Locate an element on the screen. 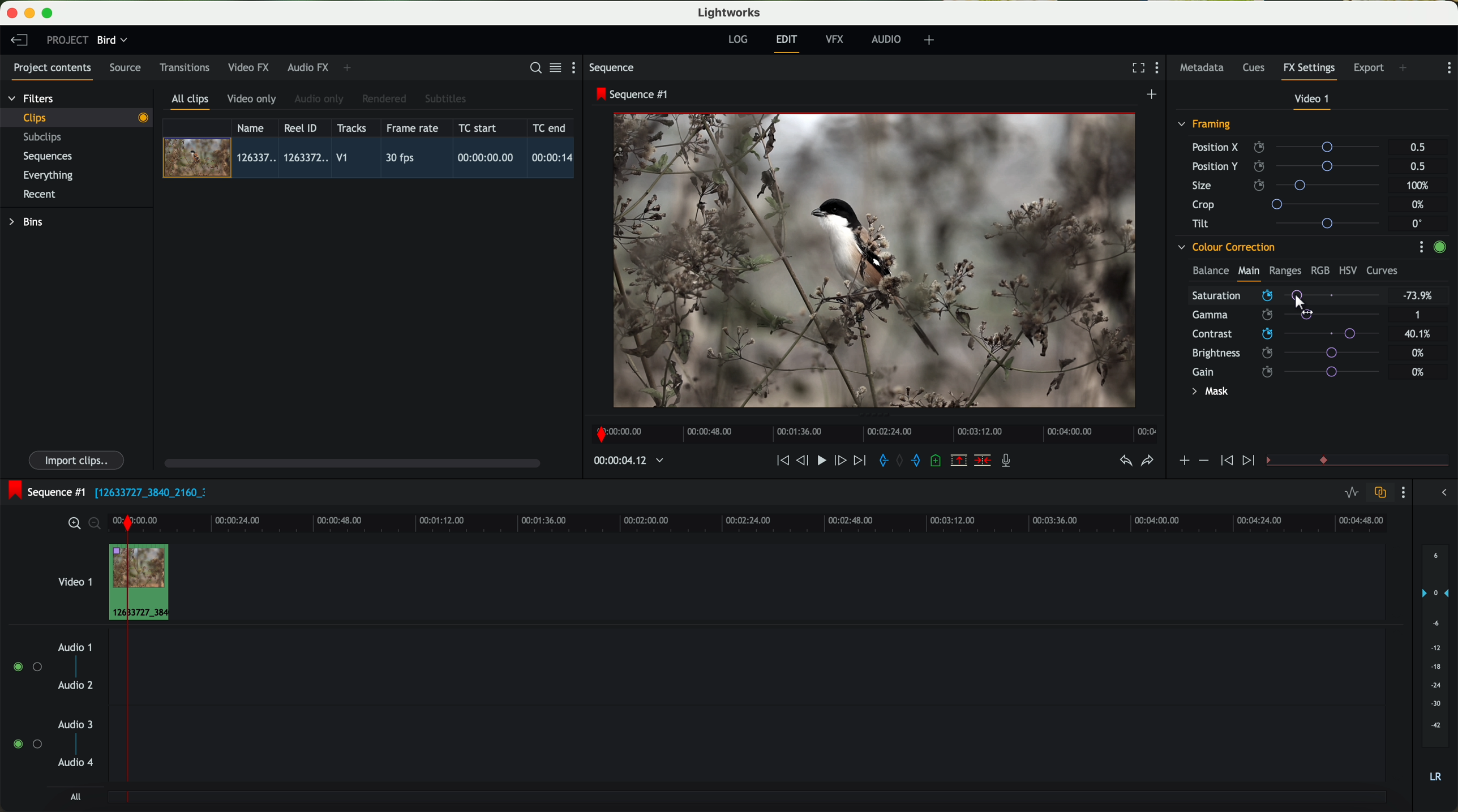  clear marks is located at coordinates (900, 461).